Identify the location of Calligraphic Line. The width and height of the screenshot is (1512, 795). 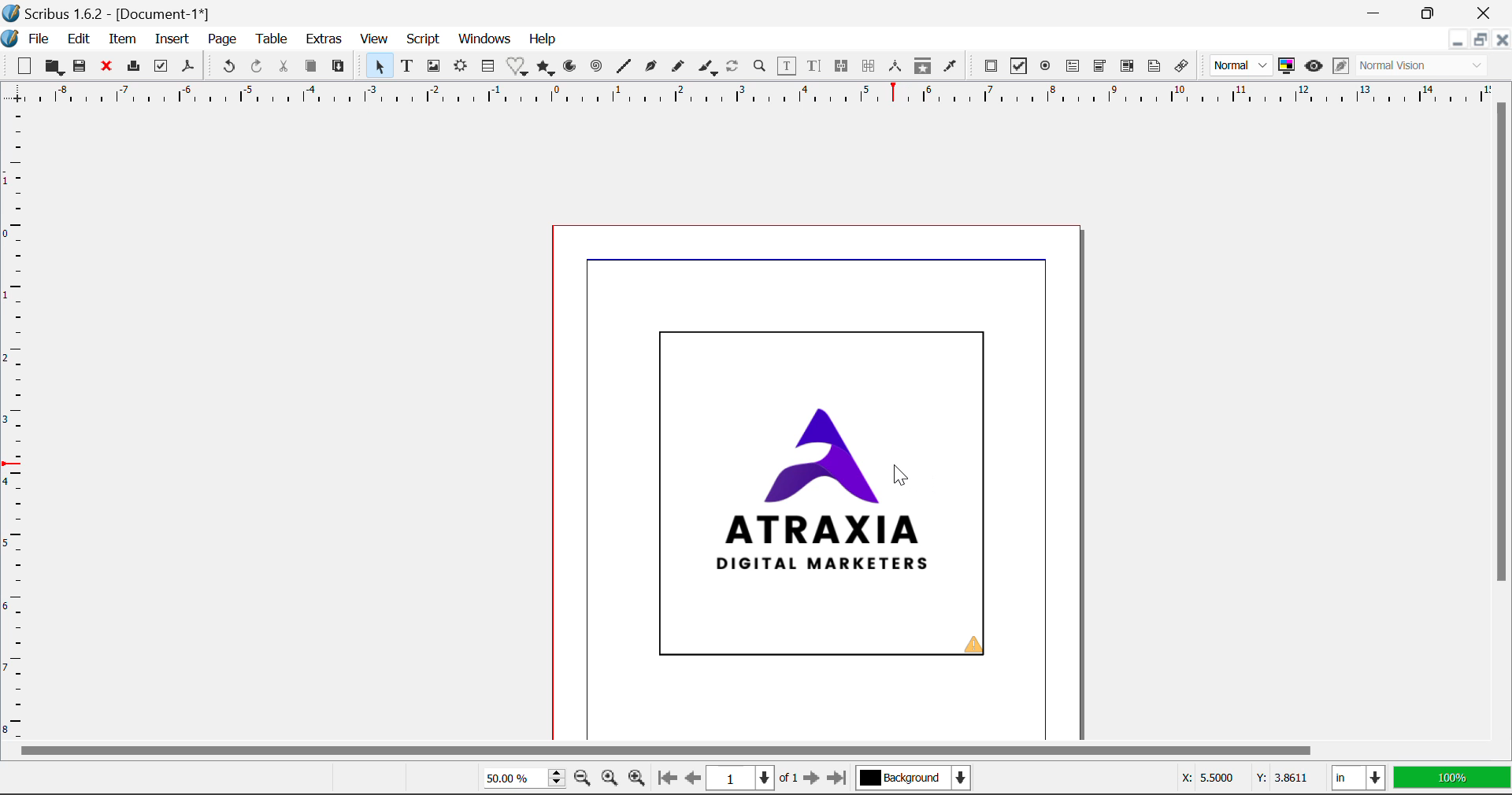
(709, 69).